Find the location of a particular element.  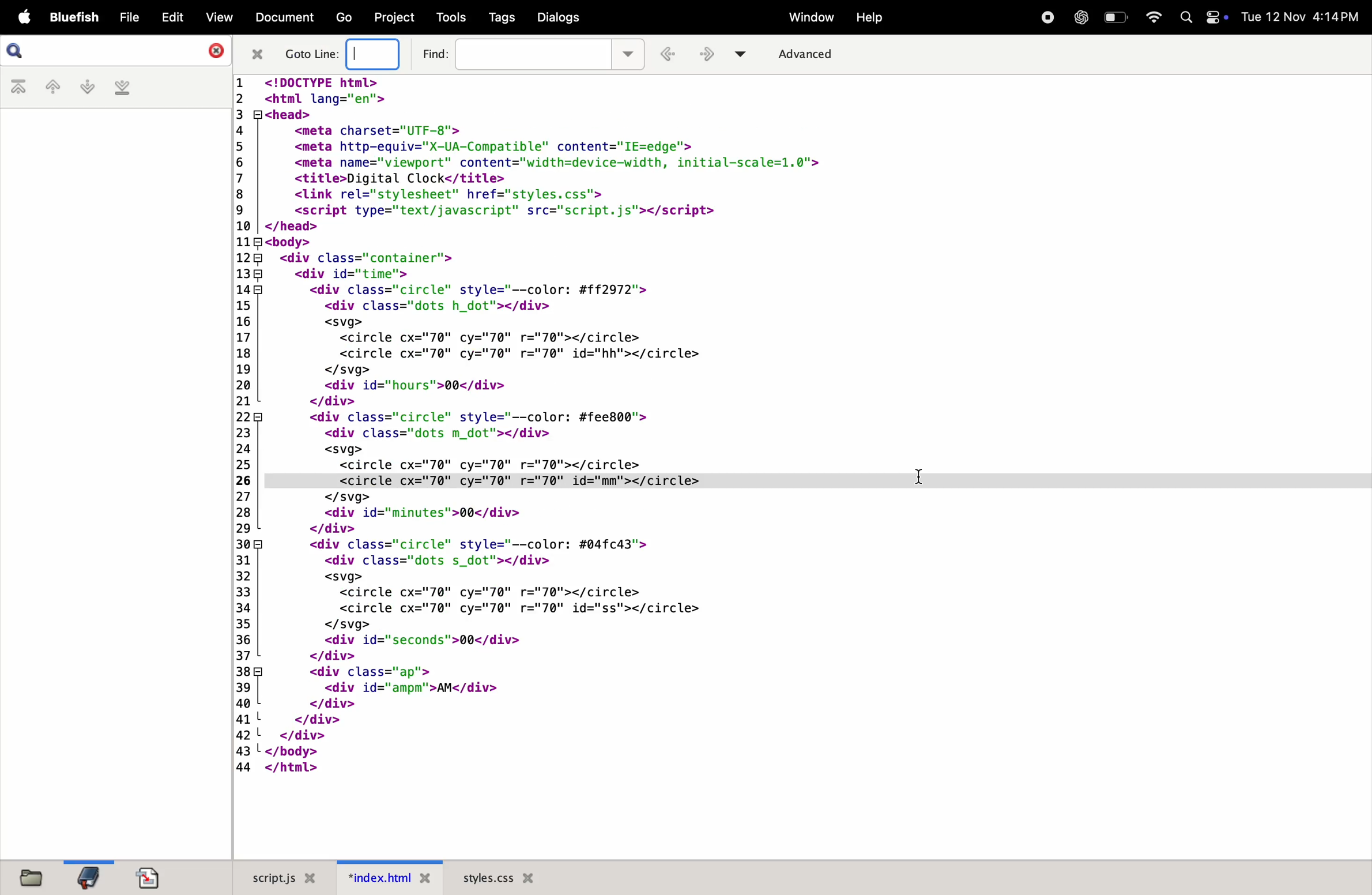

bookmaark is located at coordinates (89, 876).